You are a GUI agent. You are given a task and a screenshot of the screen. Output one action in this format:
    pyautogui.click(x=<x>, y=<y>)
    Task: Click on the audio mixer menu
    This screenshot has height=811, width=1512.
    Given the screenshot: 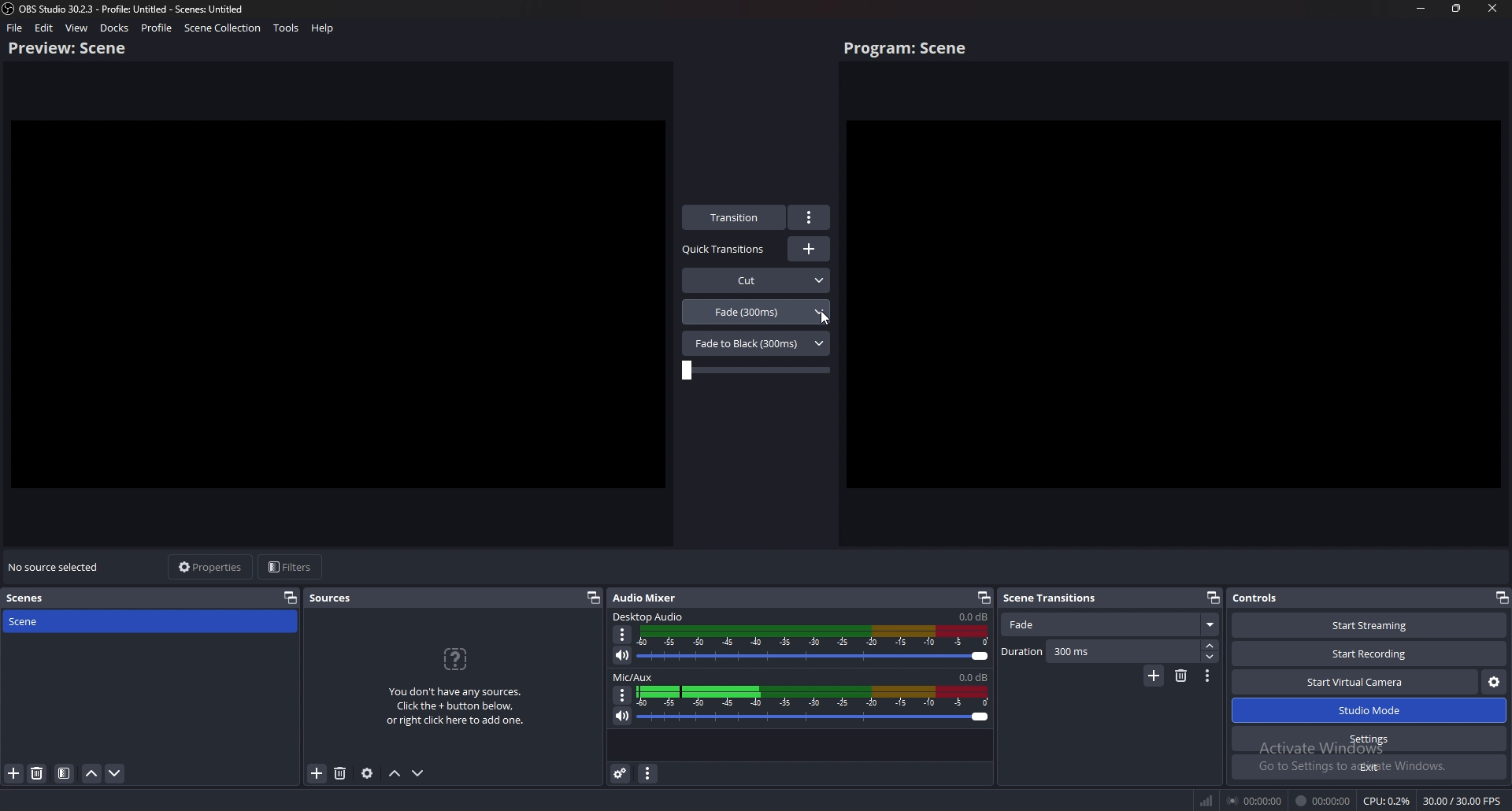 What is the action you would take?
    pyautogui.click(x=649, y=774)
    